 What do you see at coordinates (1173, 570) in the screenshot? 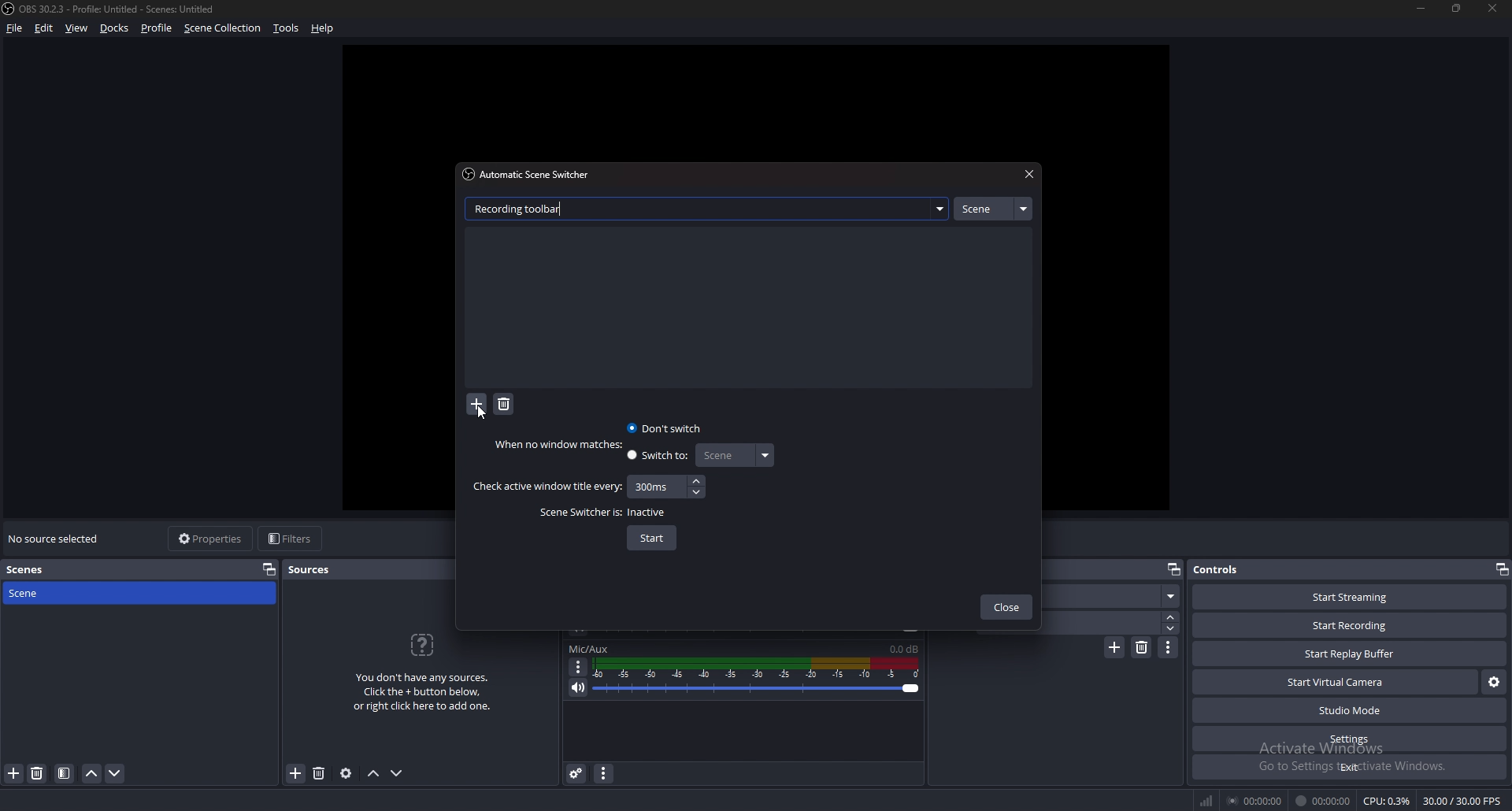
I see `pop out` at bounding box center [1173, 570].